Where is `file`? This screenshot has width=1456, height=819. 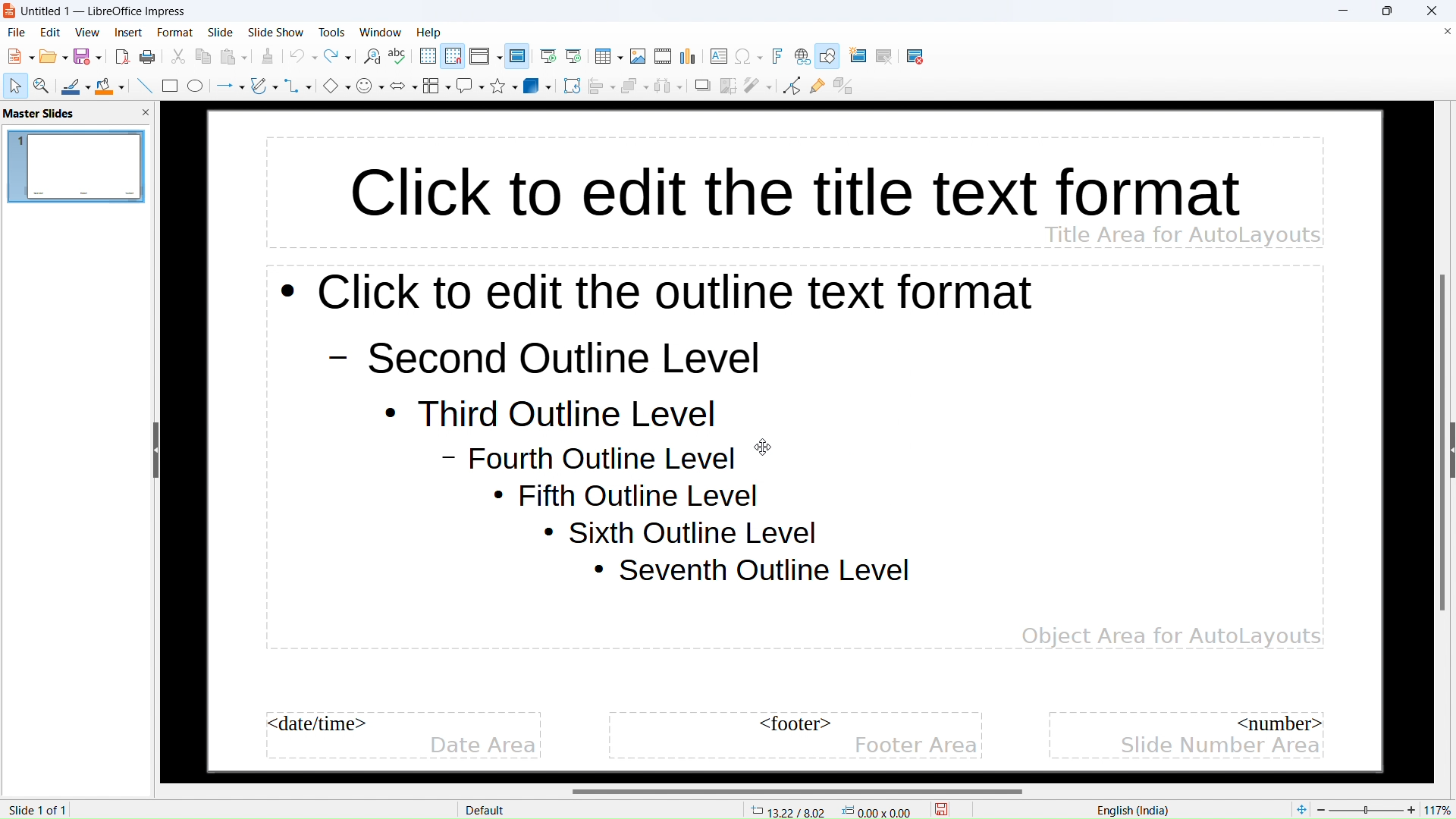
file is located at coordinates (17, 33).